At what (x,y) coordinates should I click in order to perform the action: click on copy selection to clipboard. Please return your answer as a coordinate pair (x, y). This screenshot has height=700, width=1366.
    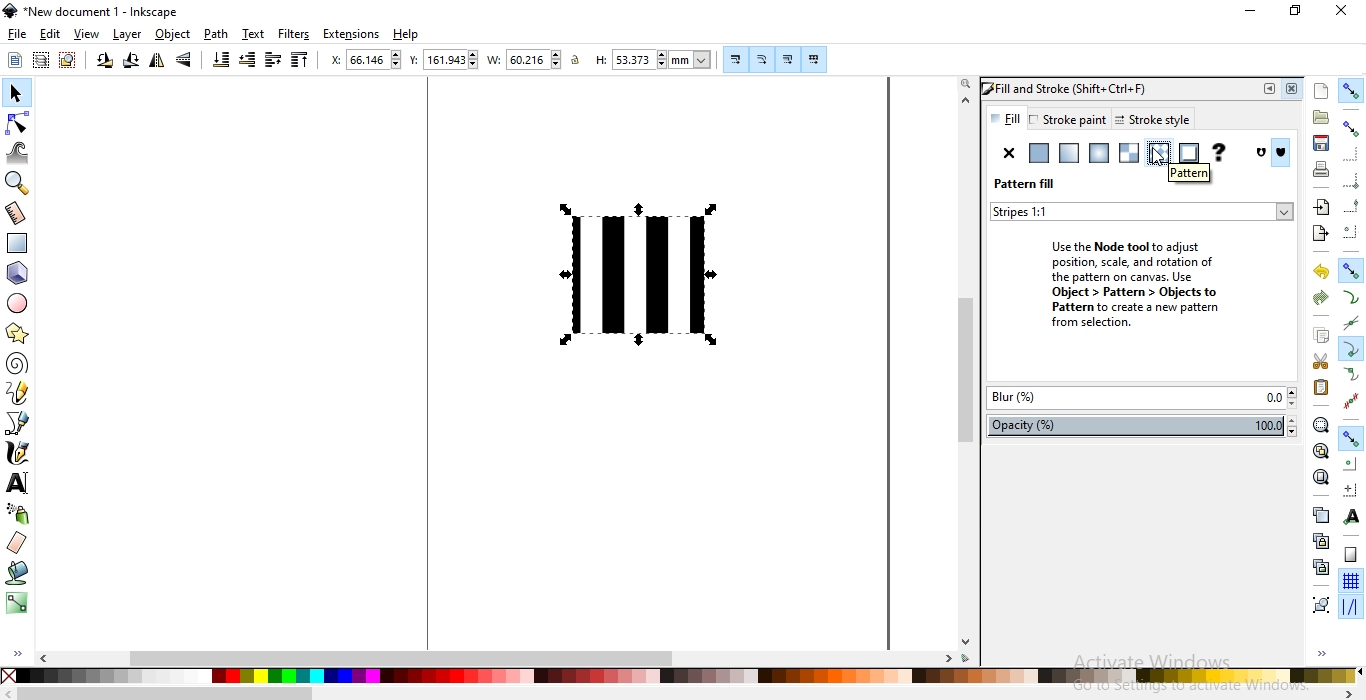
    Looking at the image, I should click on (1320, 336).